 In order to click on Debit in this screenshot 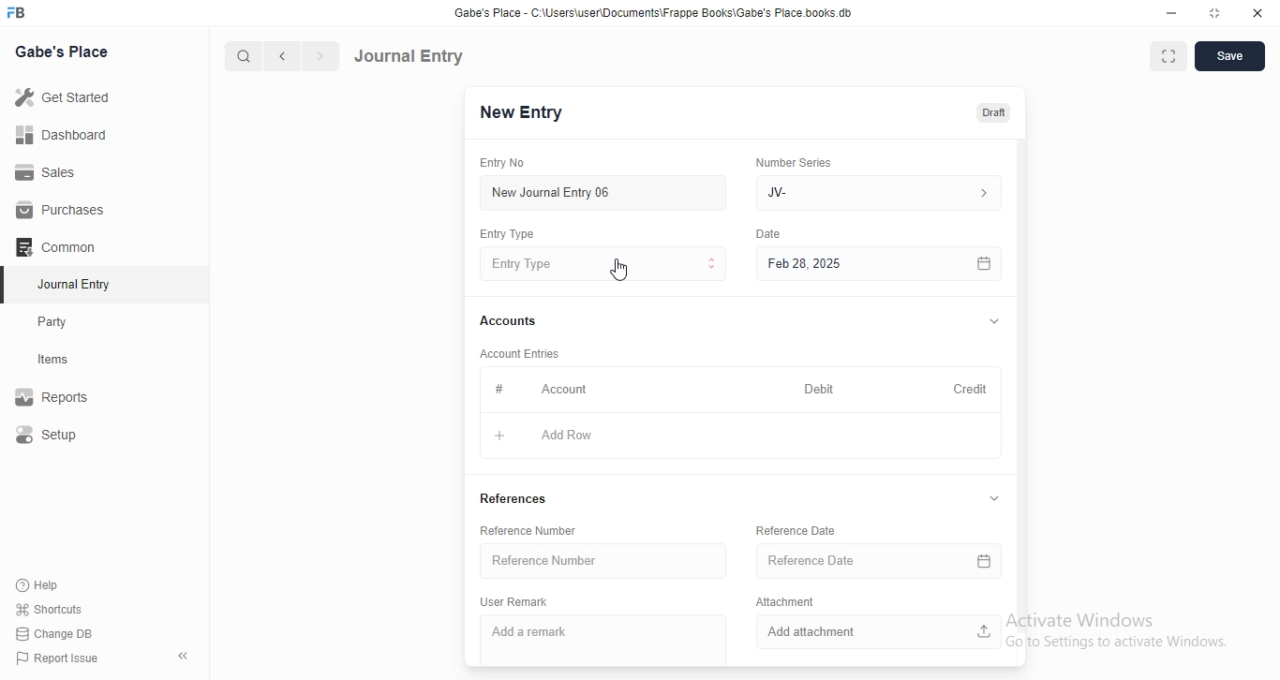, I will do `click(820, 388)`.